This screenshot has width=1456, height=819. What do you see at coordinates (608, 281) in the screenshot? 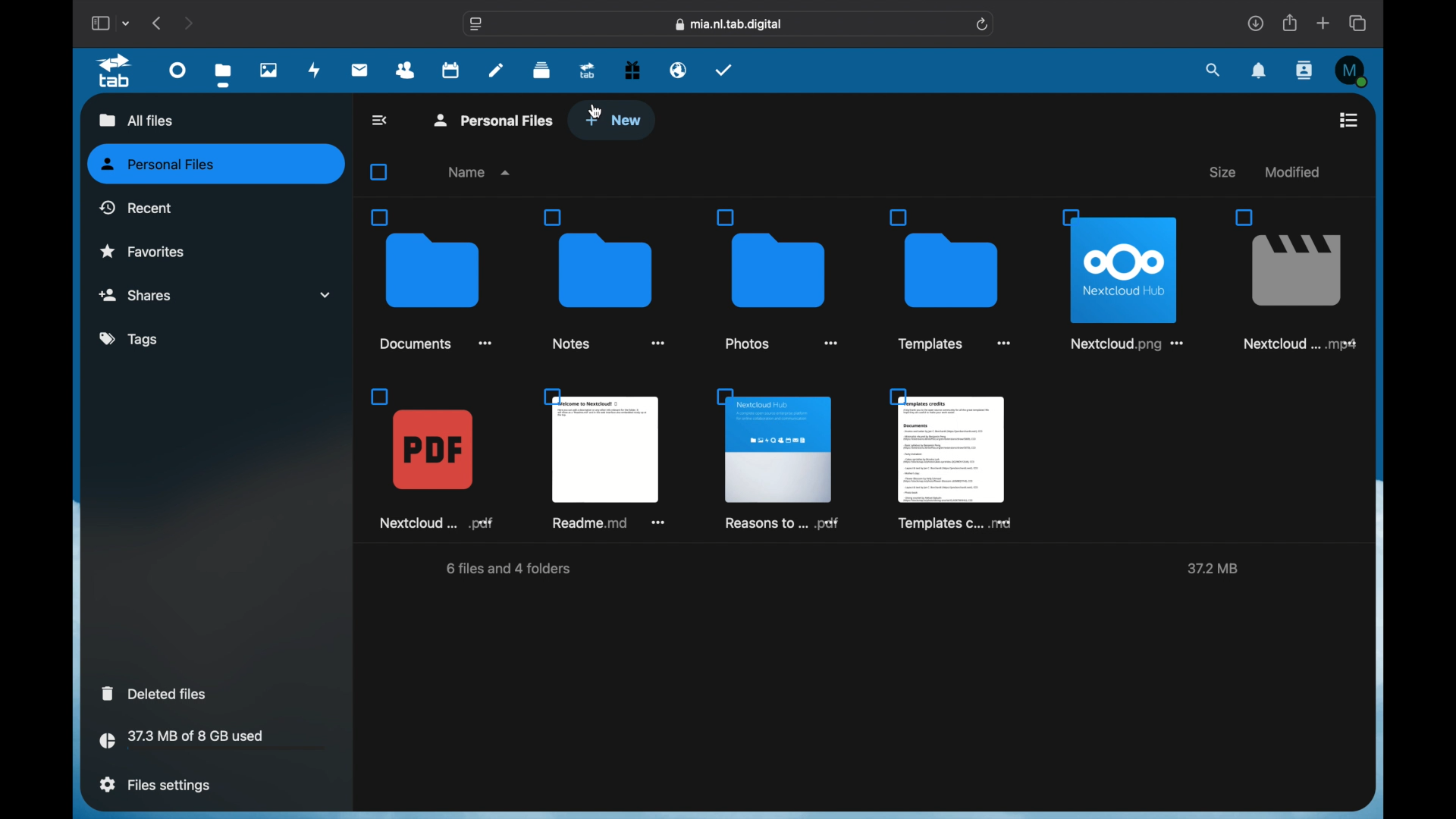
I see `folder` at bounding box center [608, 281].